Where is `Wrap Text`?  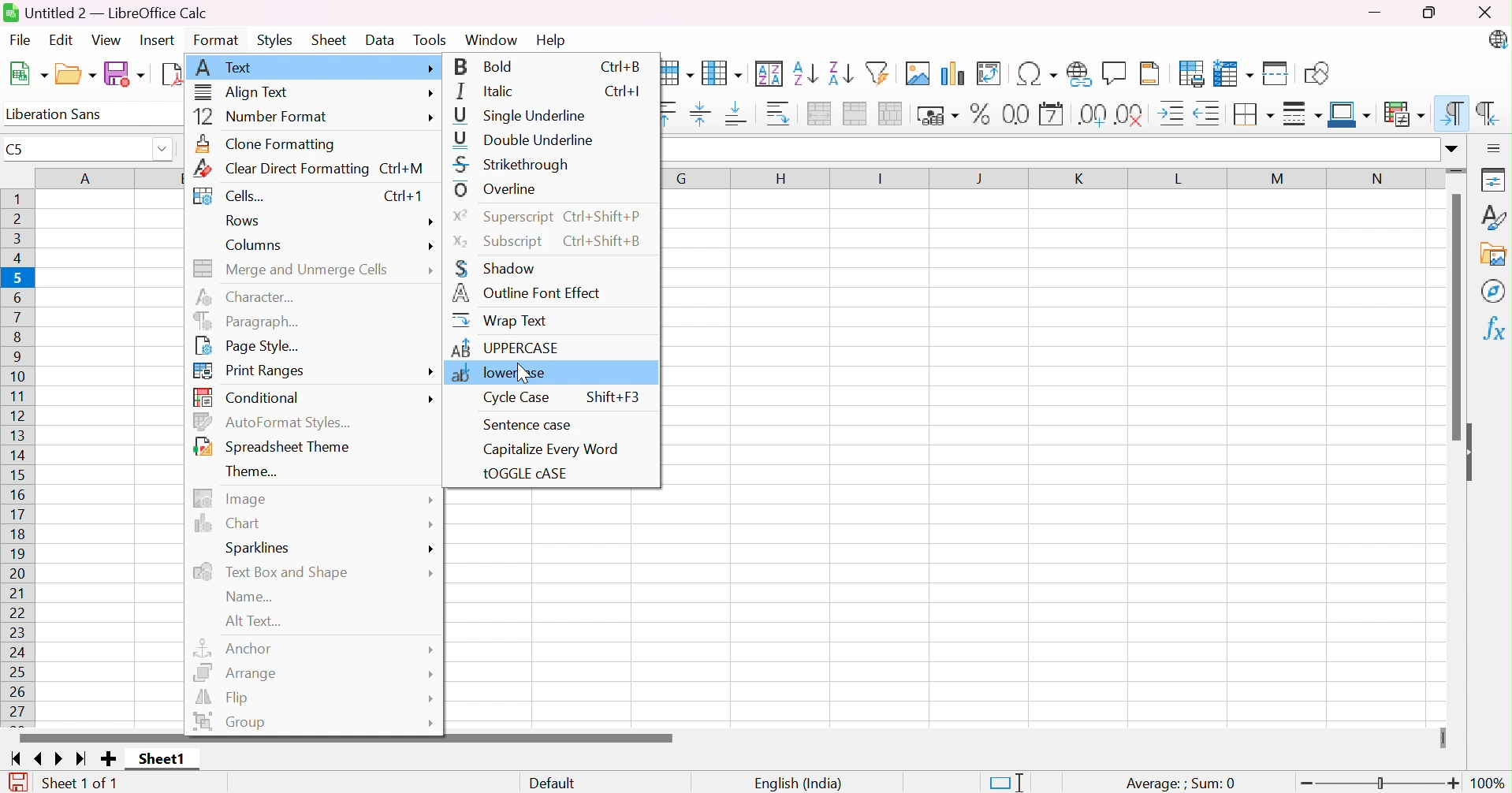
Wrap Text is located at coordinates (779, 116).